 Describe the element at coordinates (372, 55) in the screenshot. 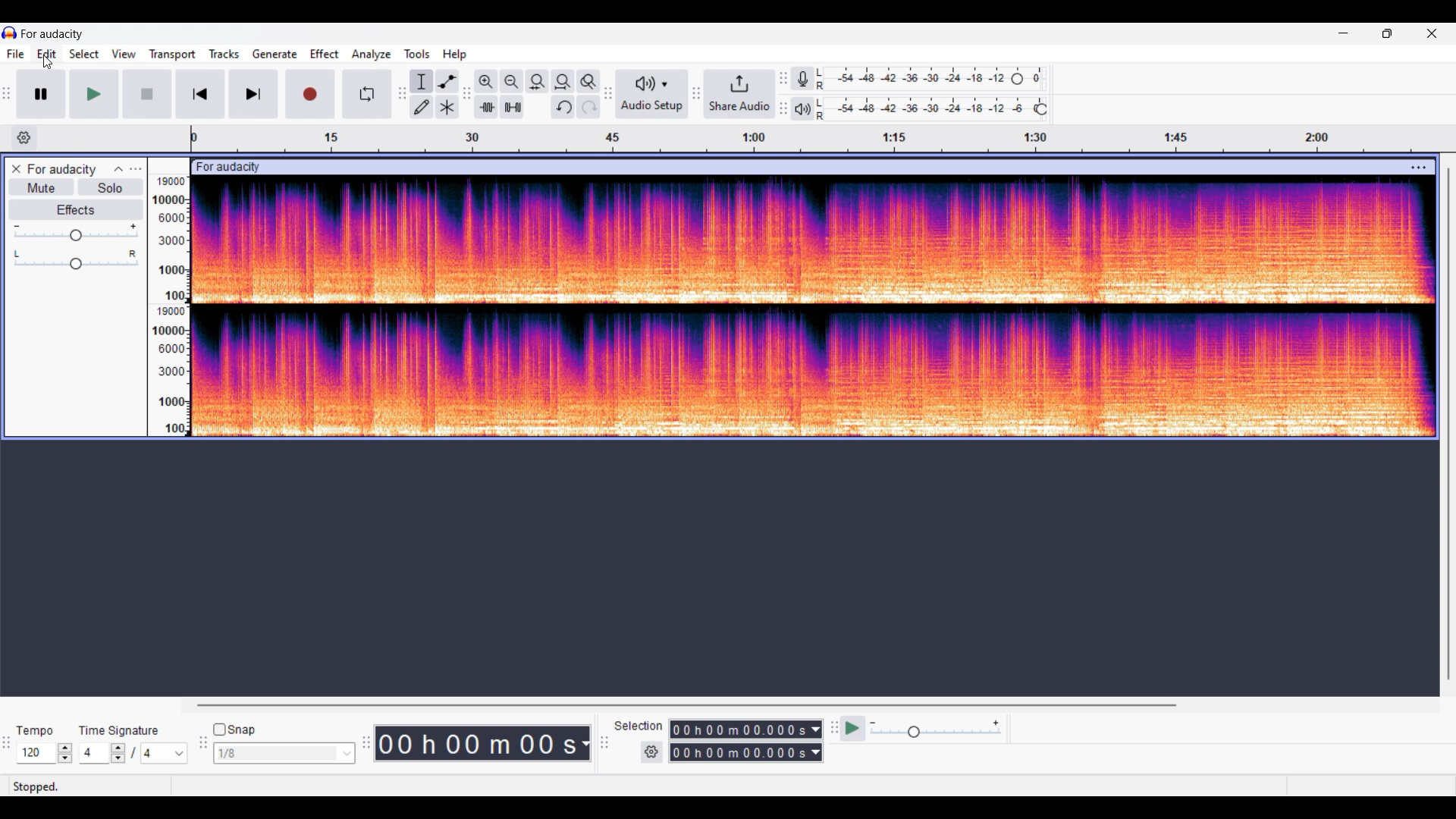

I see `Analyze menu` at that location.